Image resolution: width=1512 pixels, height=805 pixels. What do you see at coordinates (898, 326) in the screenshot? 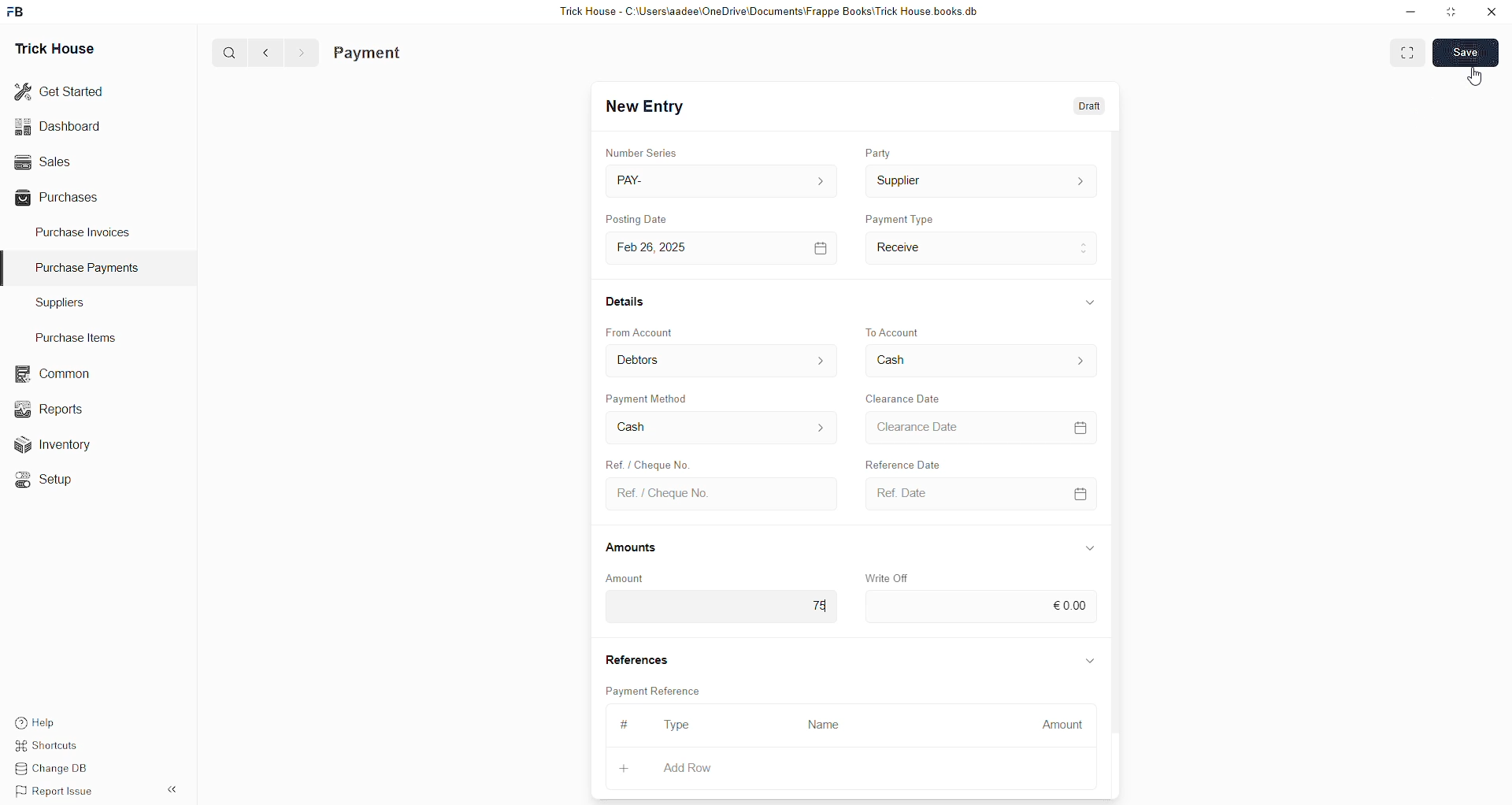
I see `To Account` at bounding box center [898, 326].